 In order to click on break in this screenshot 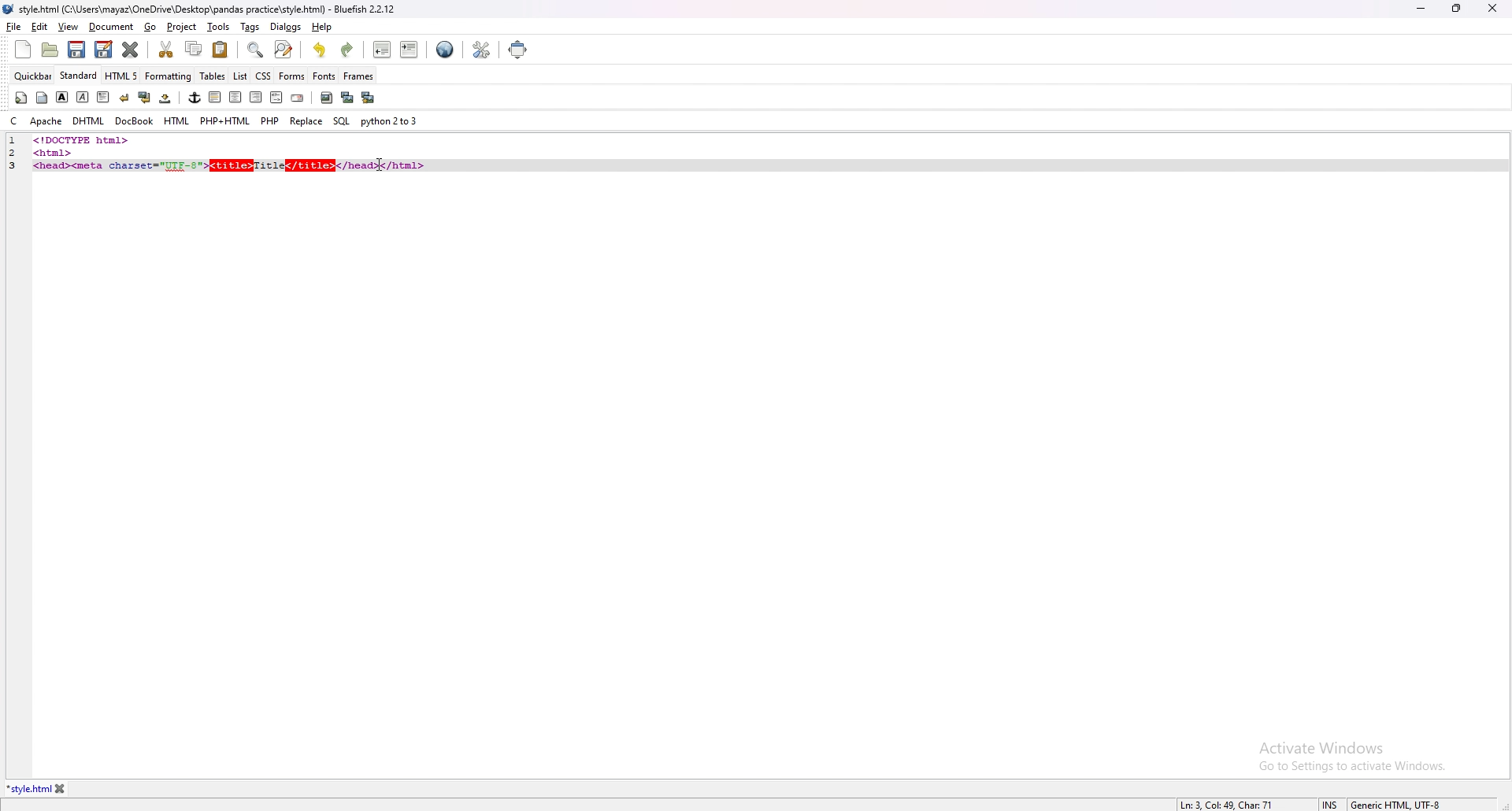, I will do `click(124, 97)`.